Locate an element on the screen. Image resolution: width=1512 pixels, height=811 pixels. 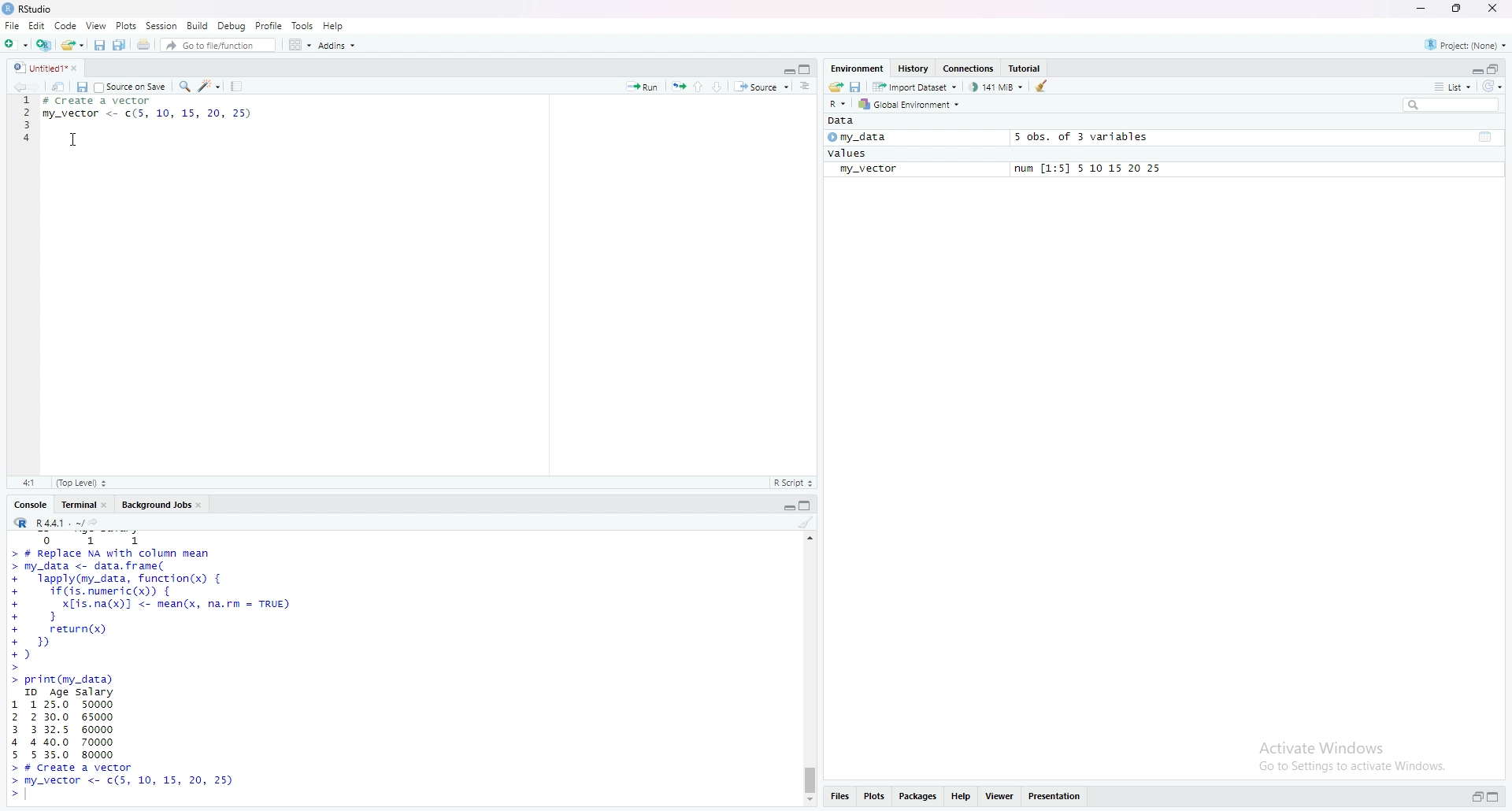
refresh list is located at coordinates (1495, 87).